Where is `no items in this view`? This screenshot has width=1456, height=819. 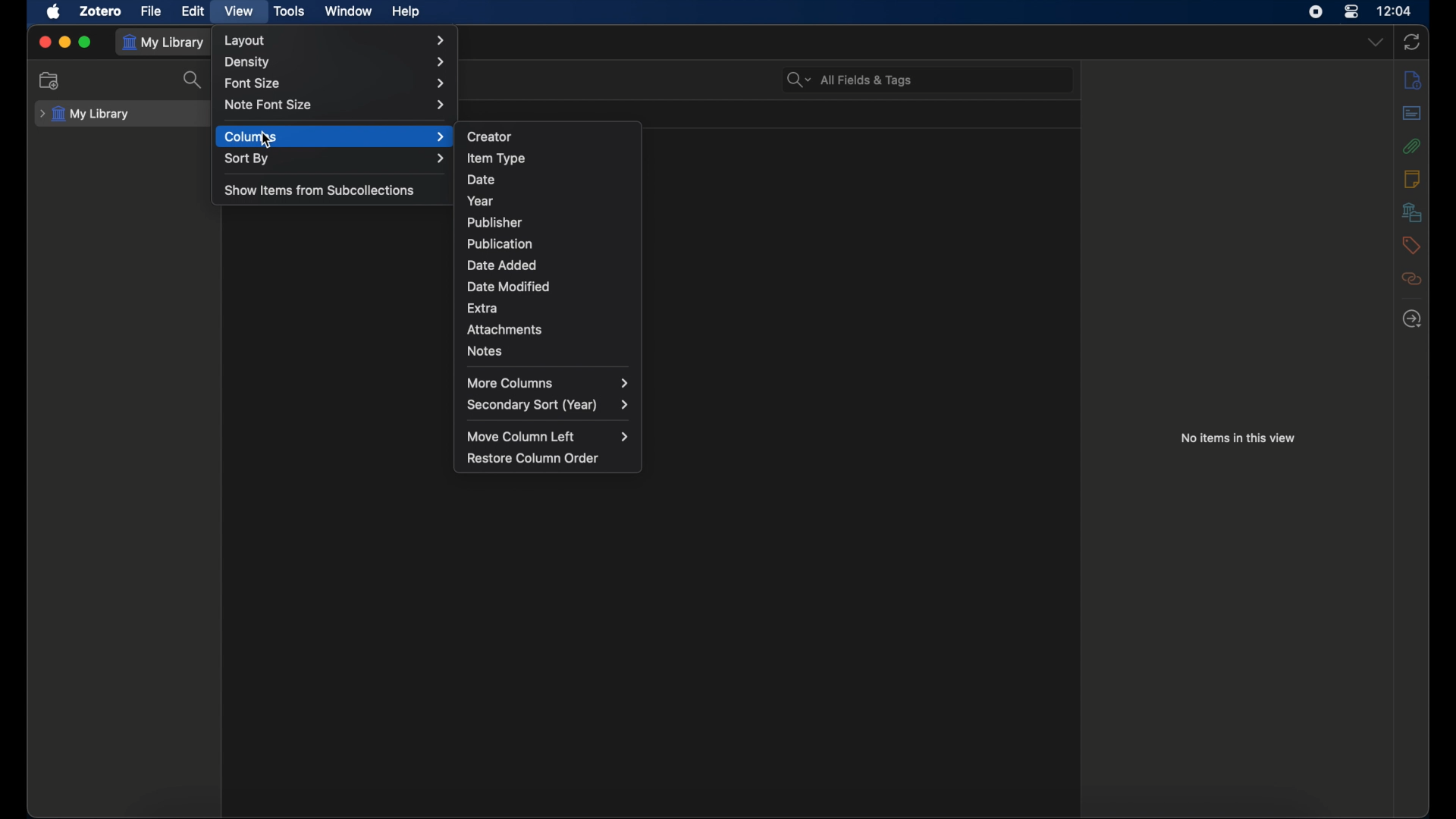 no items in this view is located at coordinates (1238, 438).